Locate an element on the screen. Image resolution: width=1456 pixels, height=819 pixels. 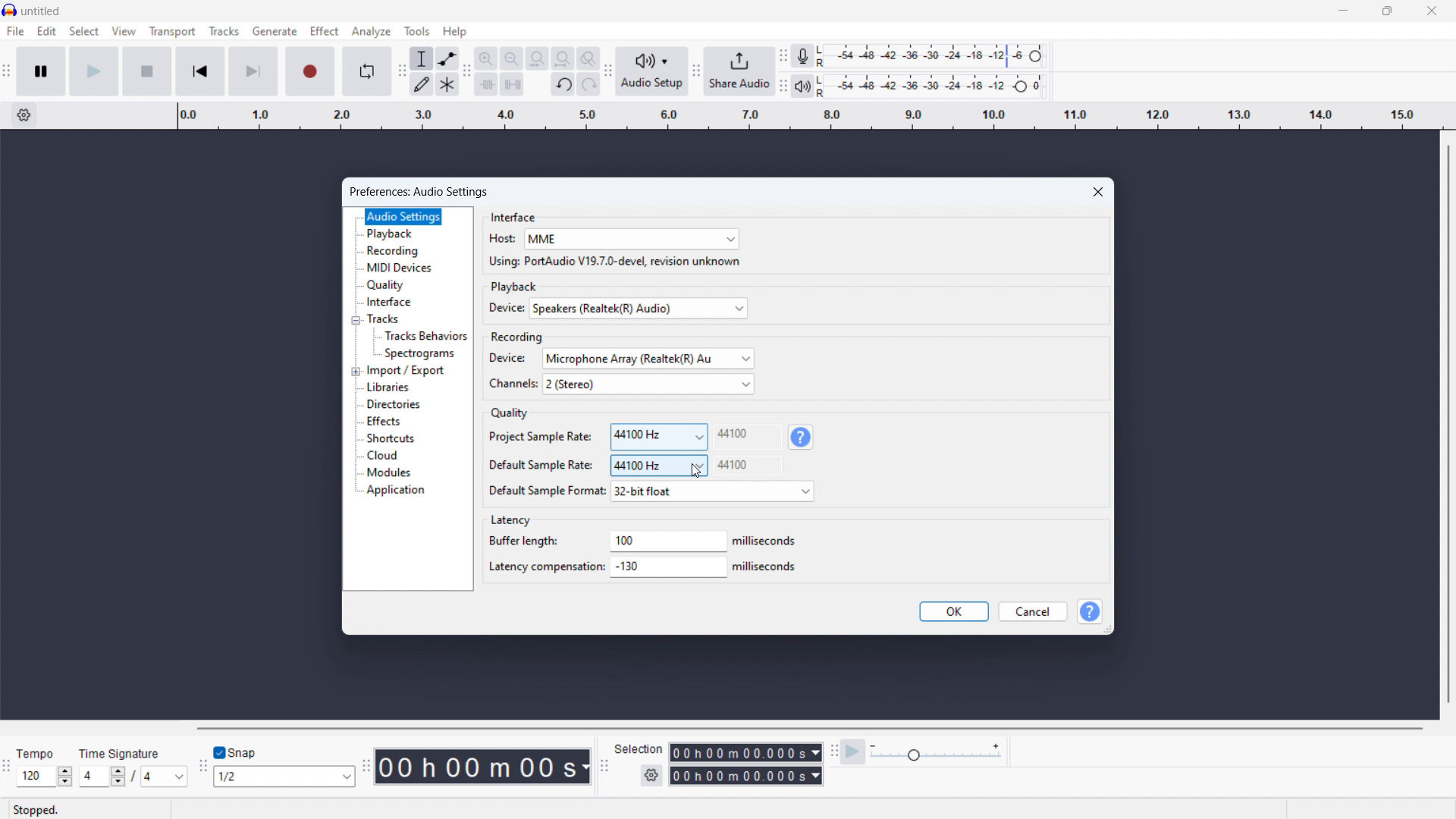
Project sample rate  is located at coordinates (539, 436).